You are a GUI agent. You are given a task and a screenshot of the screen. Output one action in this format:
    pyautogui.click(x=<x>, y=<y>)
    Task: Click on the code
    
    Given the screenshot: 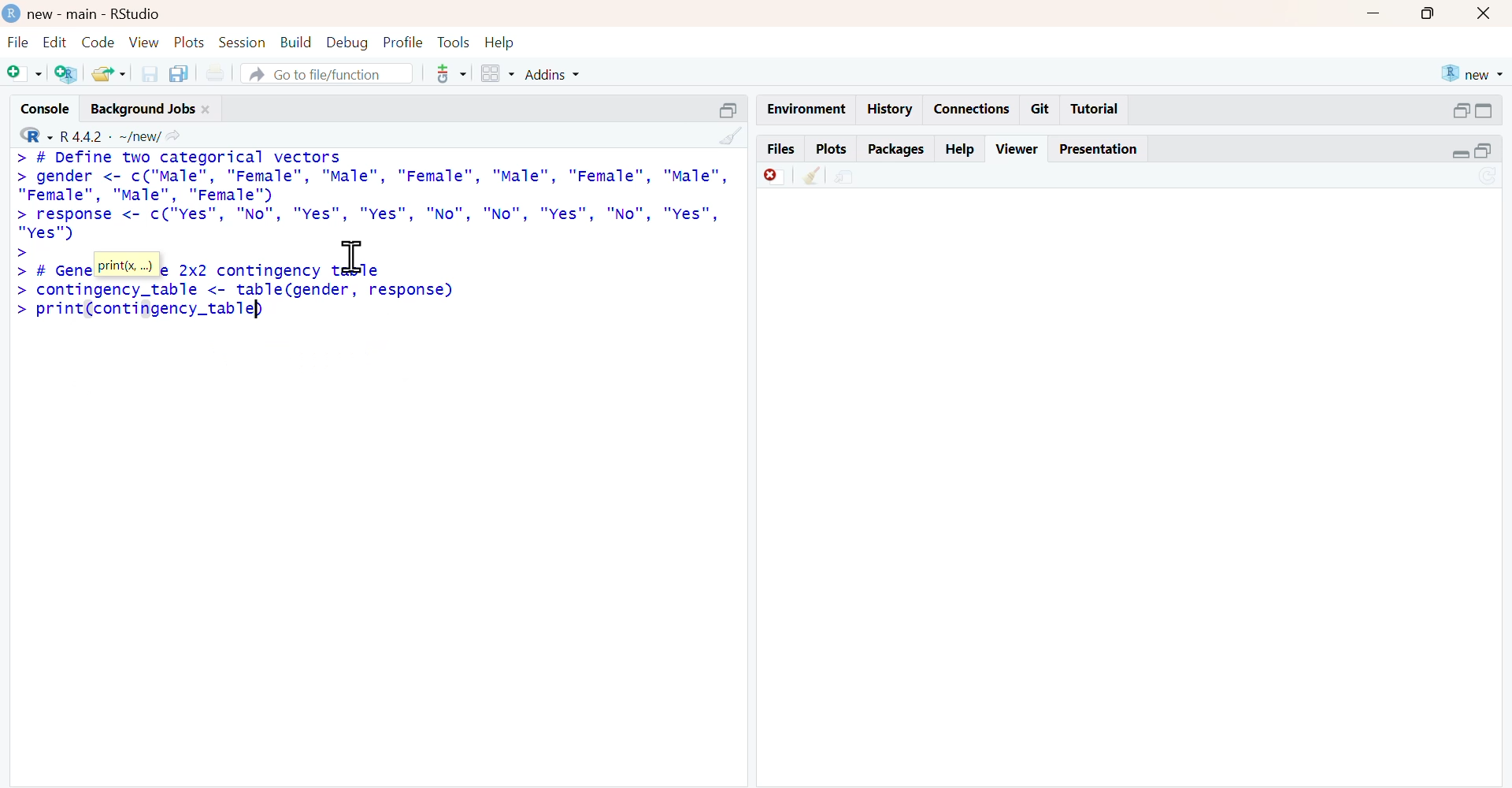 What is the action you would take?
    pyautogui.click(x=98, y=43)
    